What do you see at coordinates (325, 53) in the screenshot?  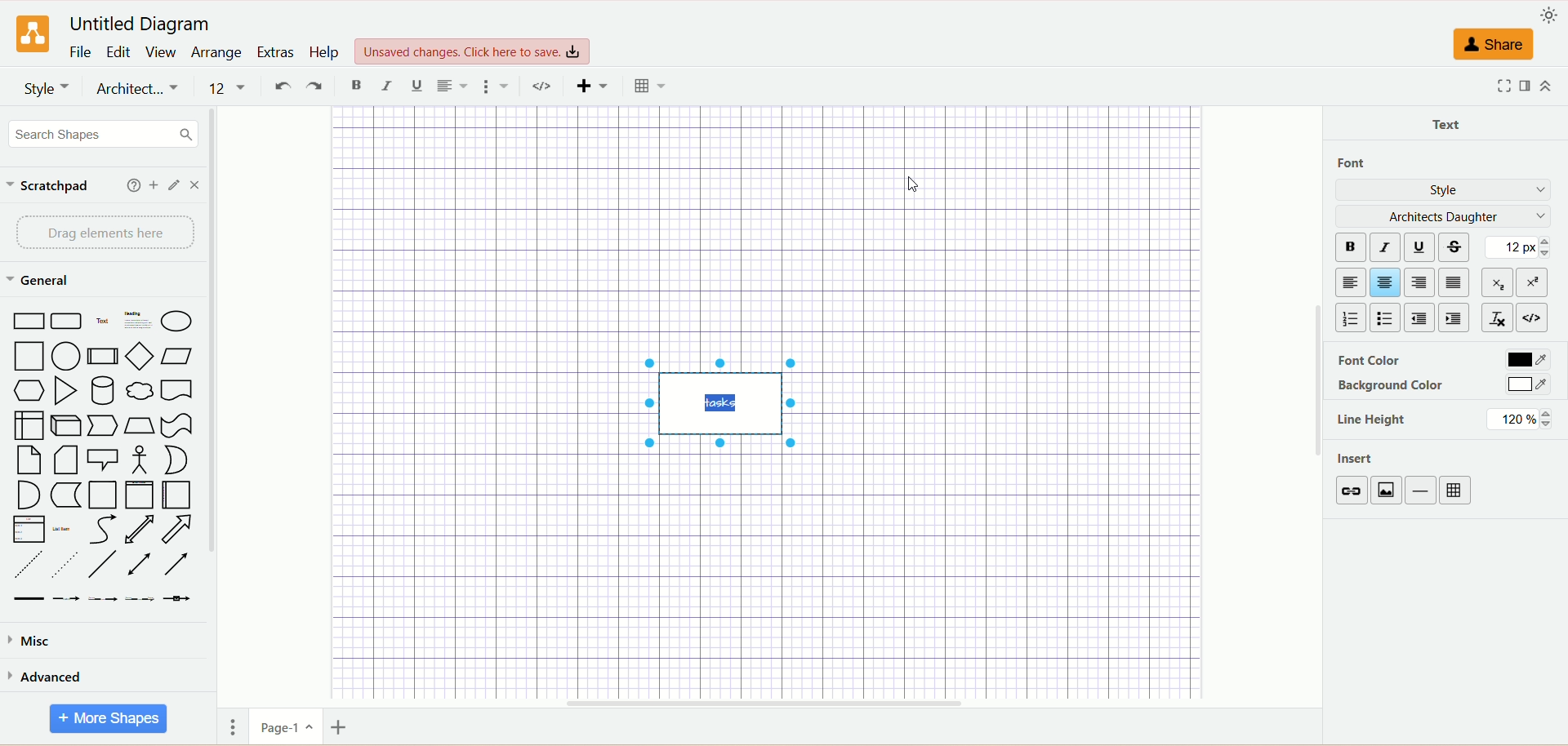 I see `help` at bounding box center [325, 53].